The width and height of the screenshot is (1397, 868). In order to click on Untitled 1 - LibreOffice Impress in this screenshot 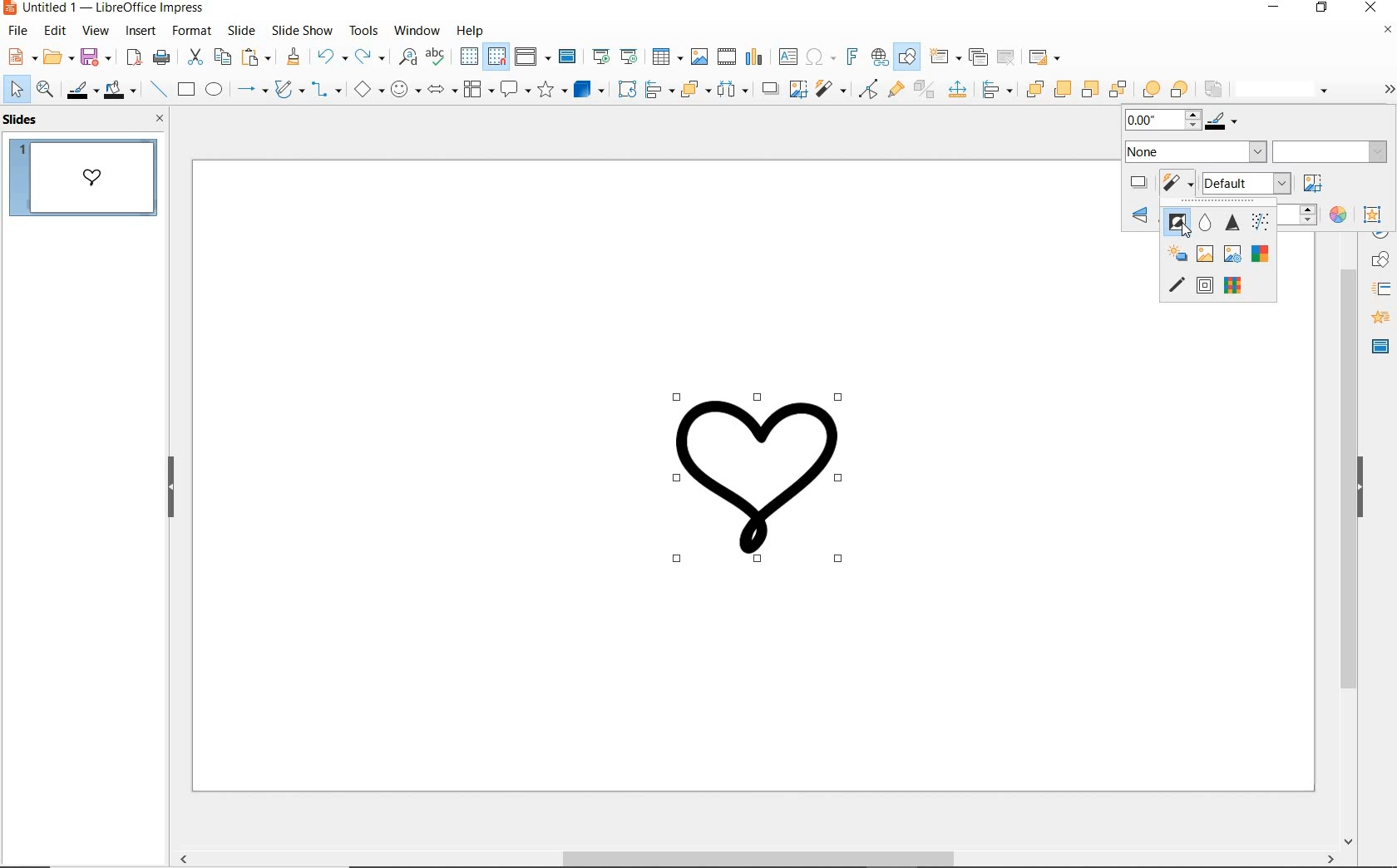, I will do `click(106, 9)`.